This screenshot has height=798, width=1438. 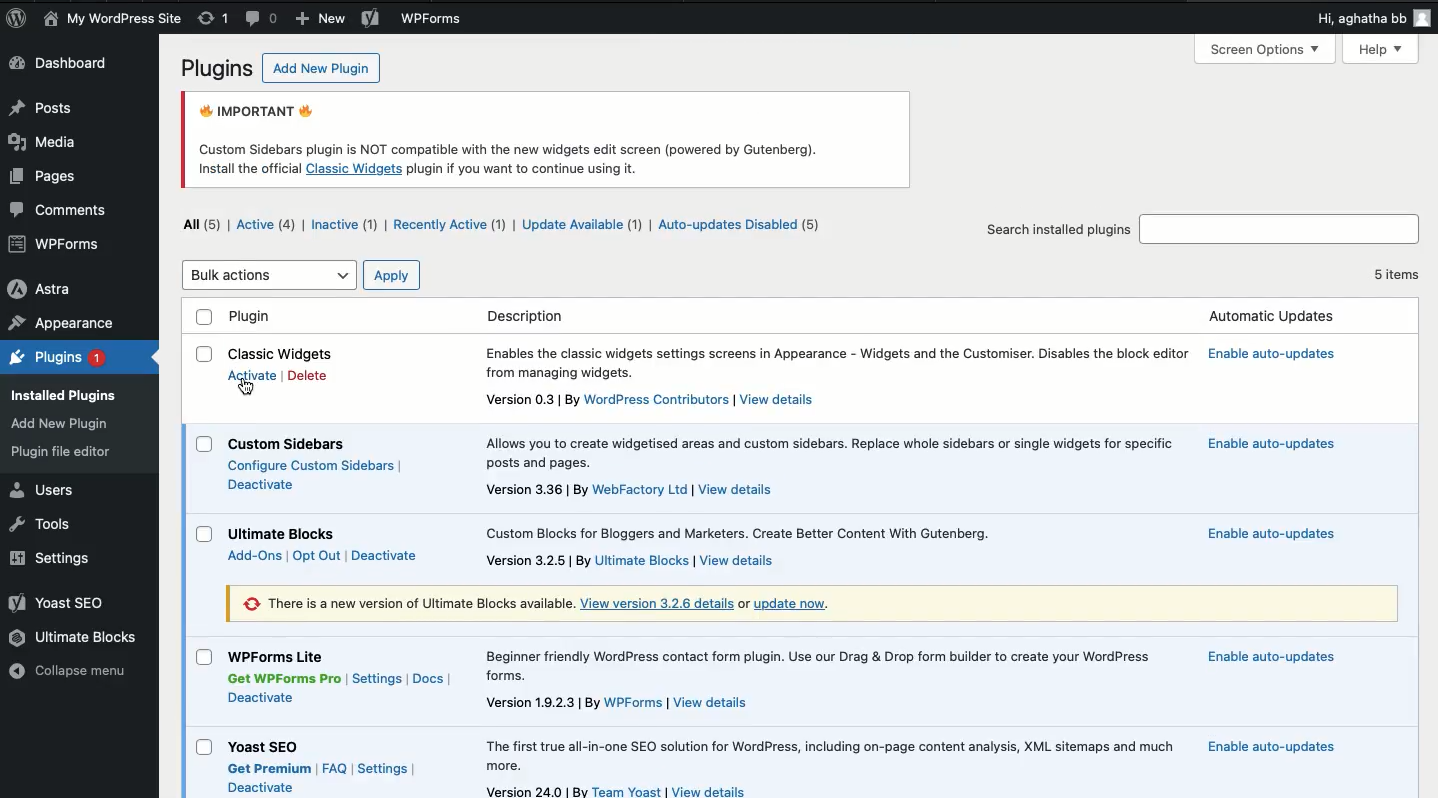 I want to click on Description, so click(x=841, y=363).